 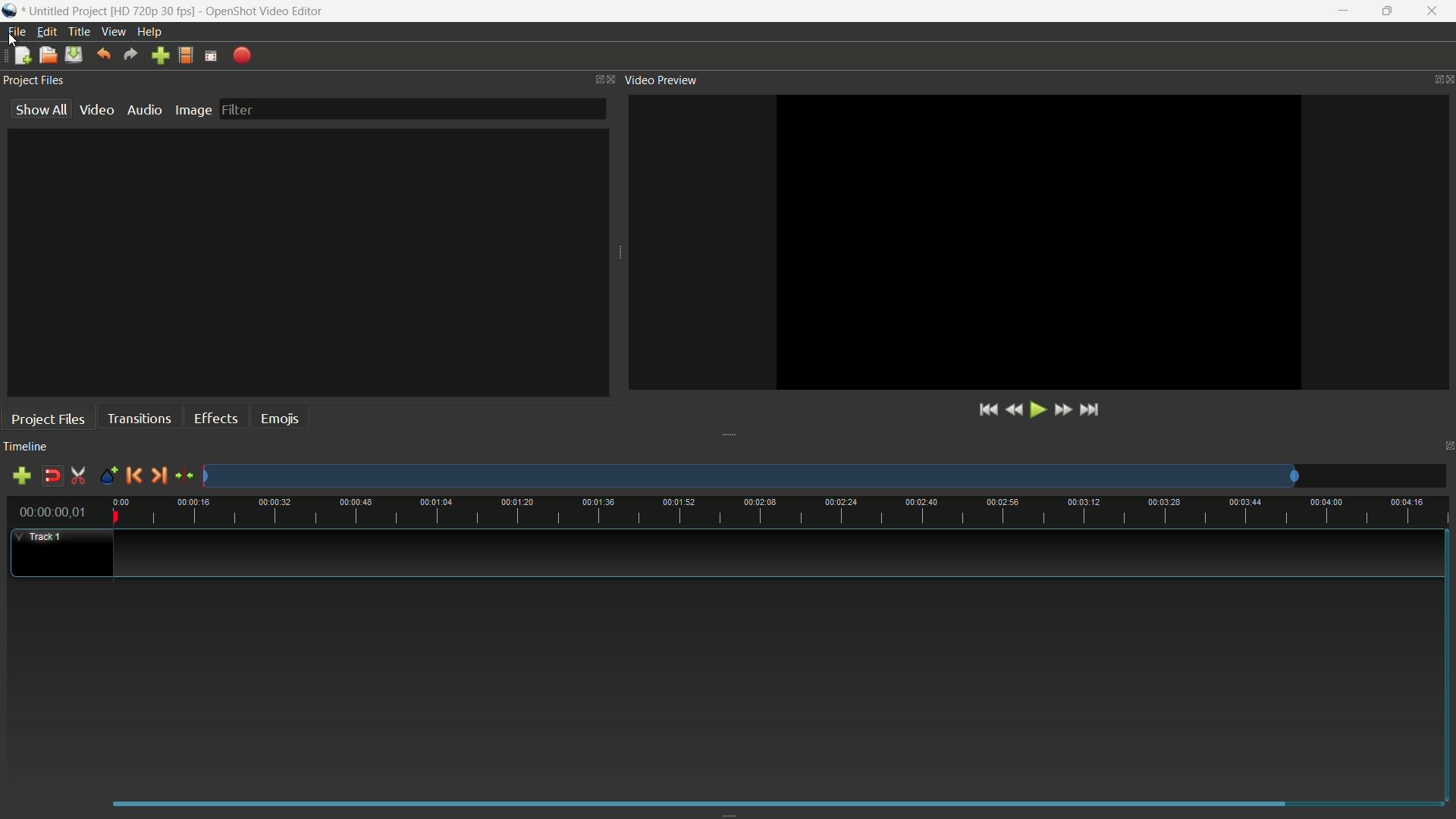 What do you see at coordinates (185, 55) in the screenshot?
I see `profile` at bounding box center [185, 55].